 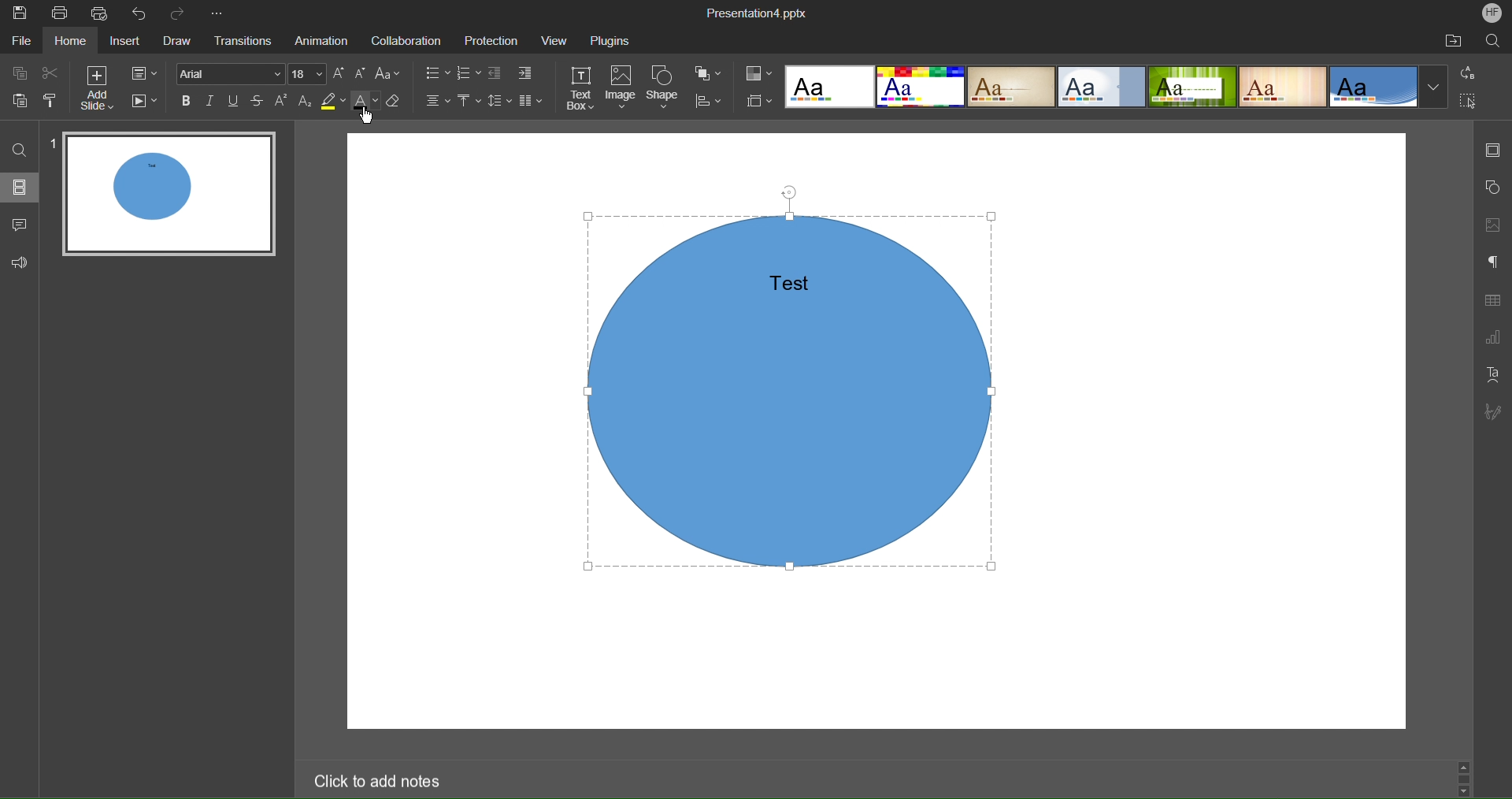 I want to click on Font Case Settings, so click(x=389, y=74).